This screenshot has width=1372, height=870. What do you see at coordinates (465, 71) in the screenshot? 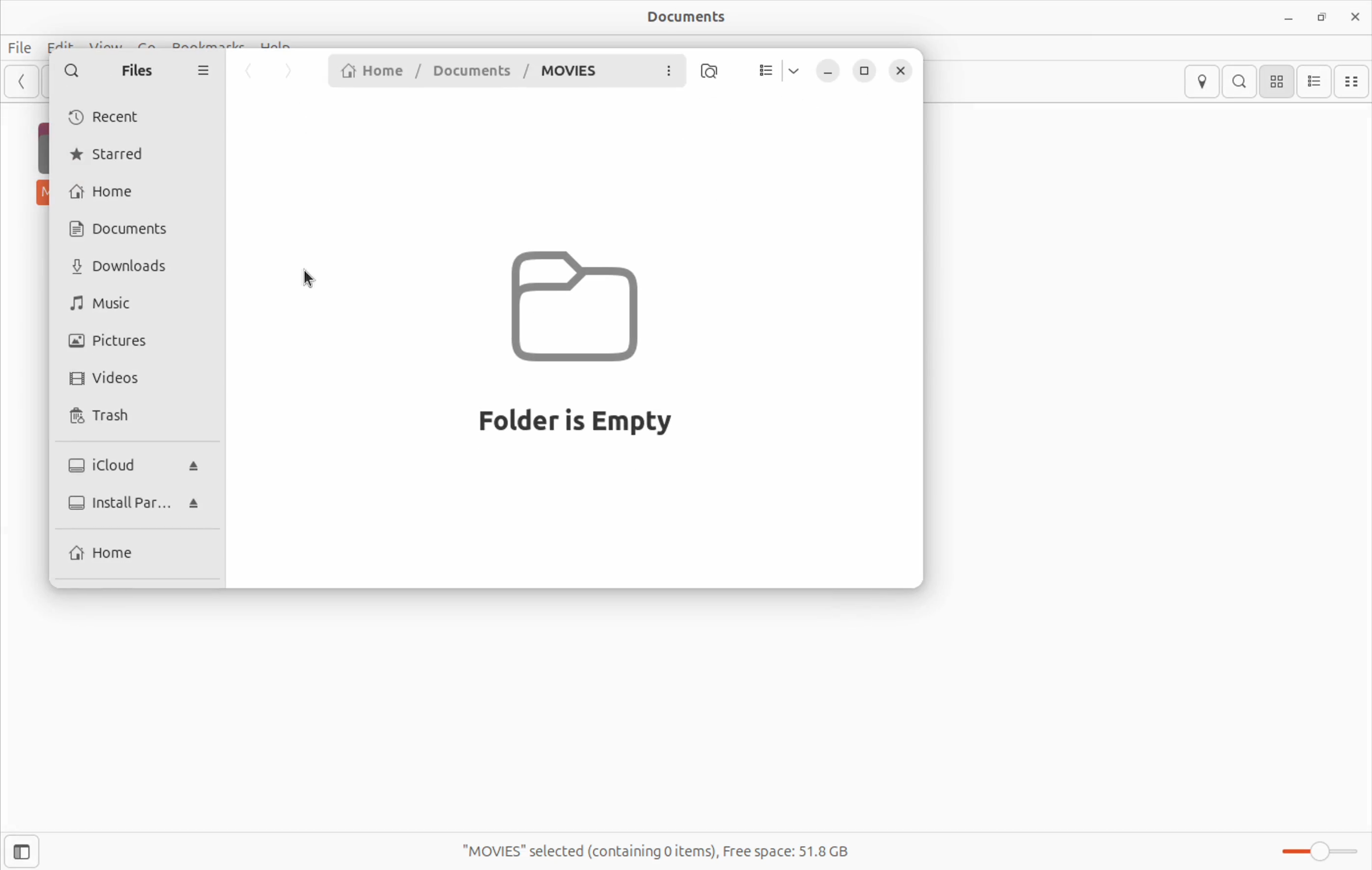
I see `Home / Documents / MOVIES` at bounding box center [465, 71].